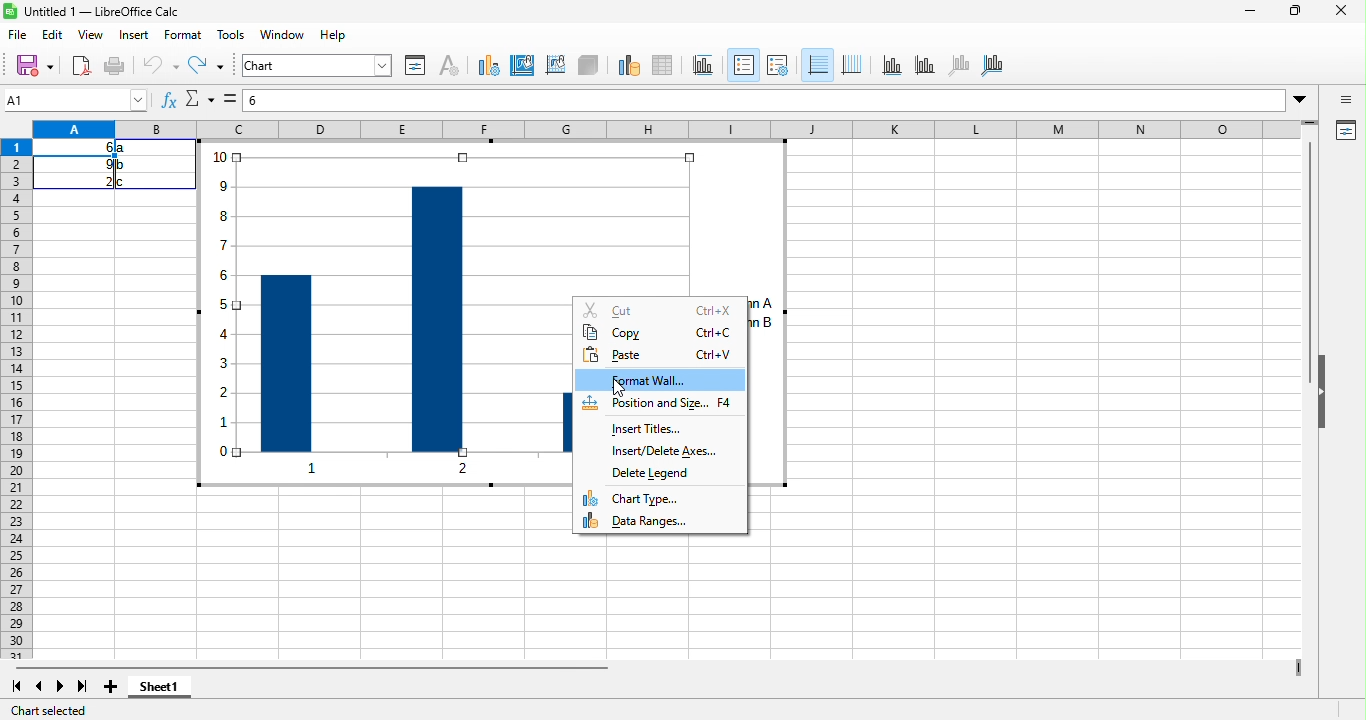  What do you see at coordinates (489, 66) in the screenshot?
I see `chart type` at bounding box center [489, 66].